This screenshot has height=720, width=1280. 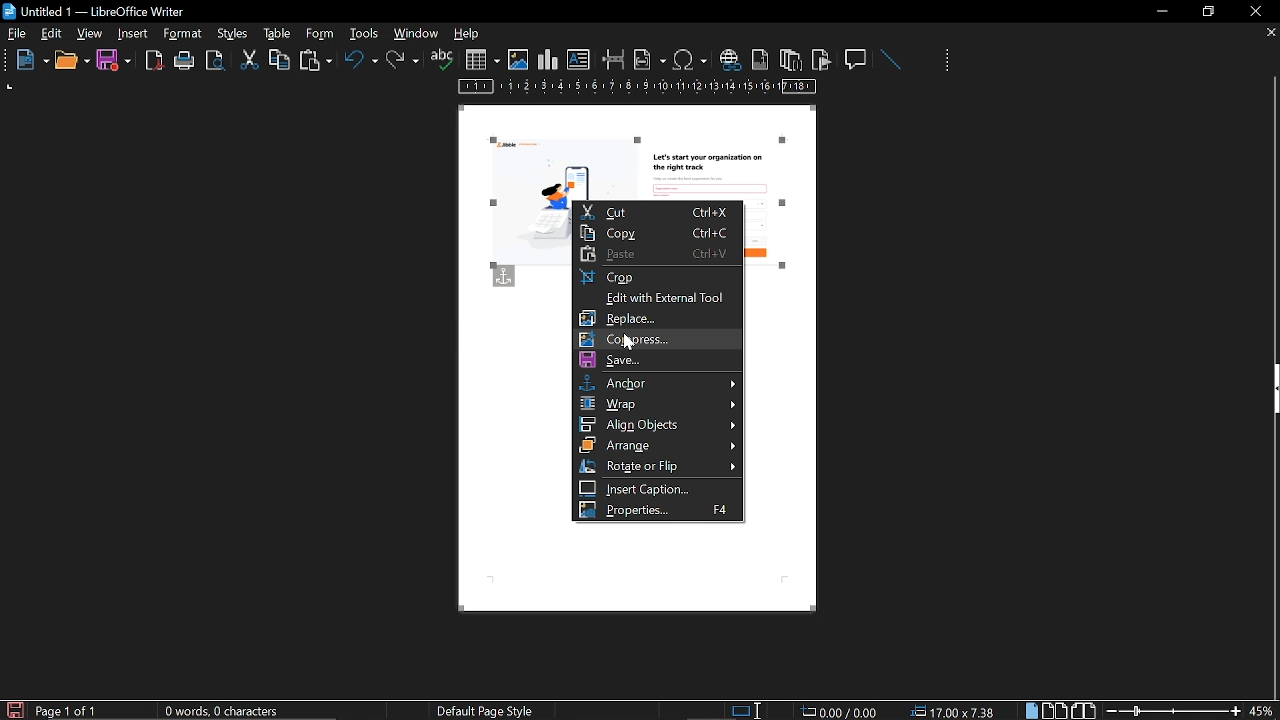 What do you see at coordinates (489, 710) in the screenshot?
I see `page style` at bounding box center [489, 710].